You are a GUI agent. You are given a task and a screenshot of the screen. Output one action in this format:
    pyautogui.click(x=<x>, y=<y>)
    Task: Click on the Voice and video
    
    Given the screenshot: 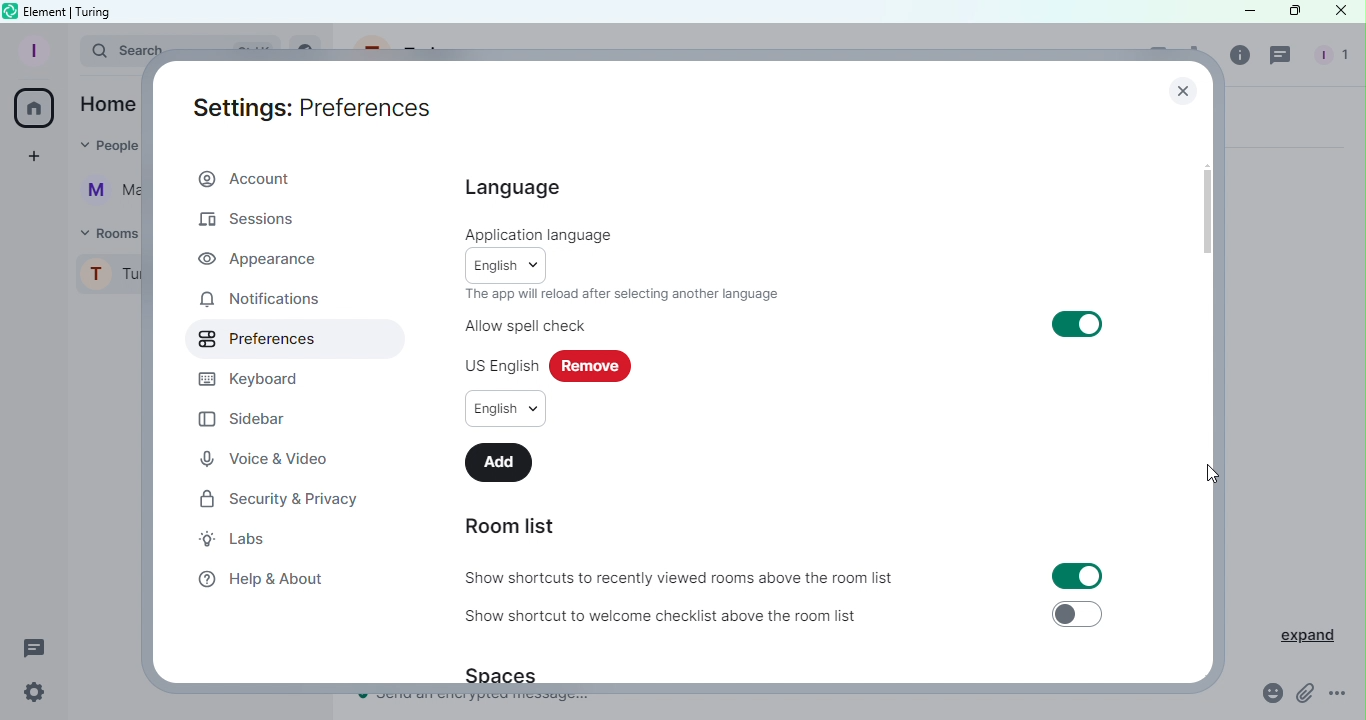 What is the action you would take?
    pyautogui.click(x=266, y=458)
    